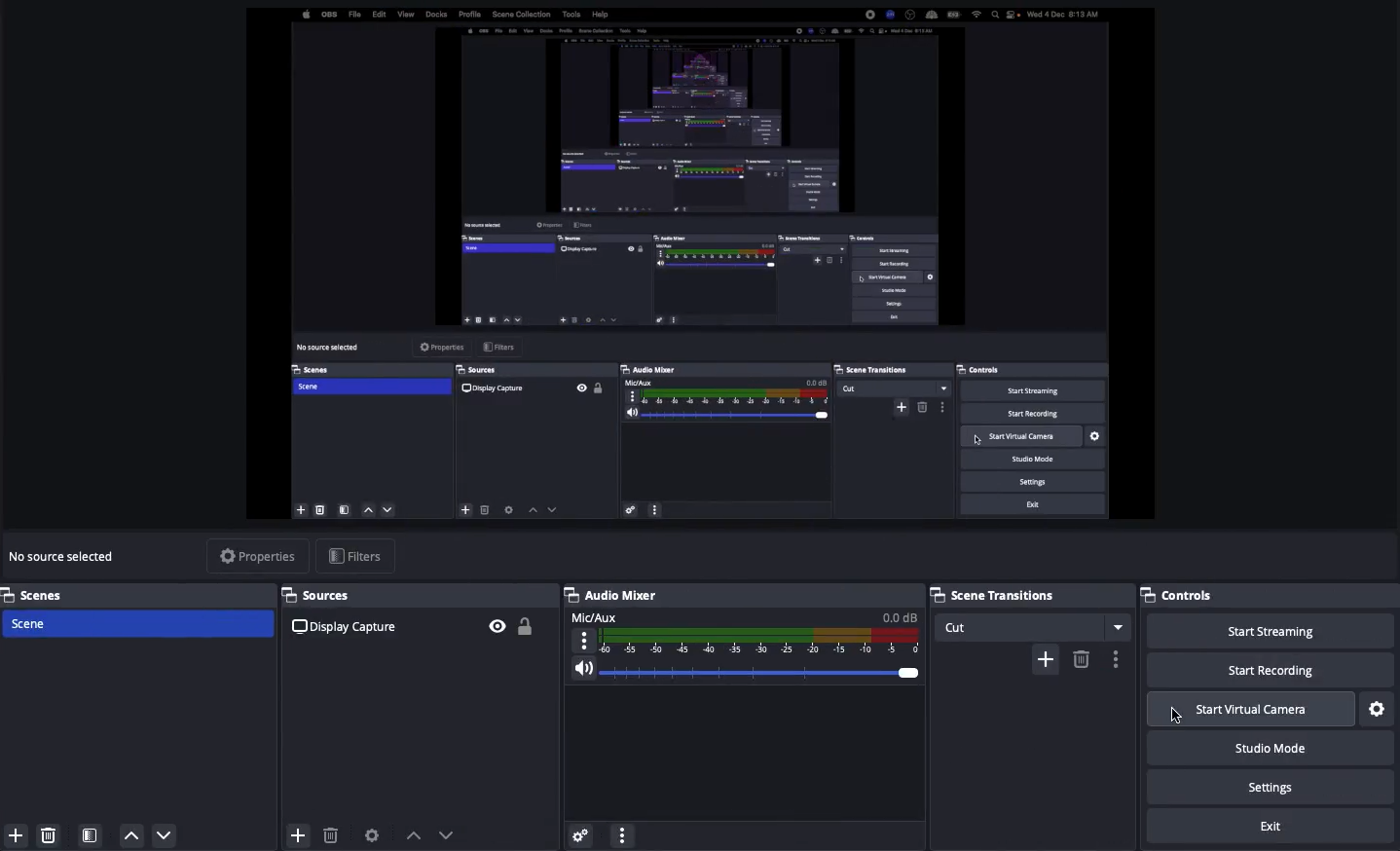  I want to click on Options, so click(1115, 655).